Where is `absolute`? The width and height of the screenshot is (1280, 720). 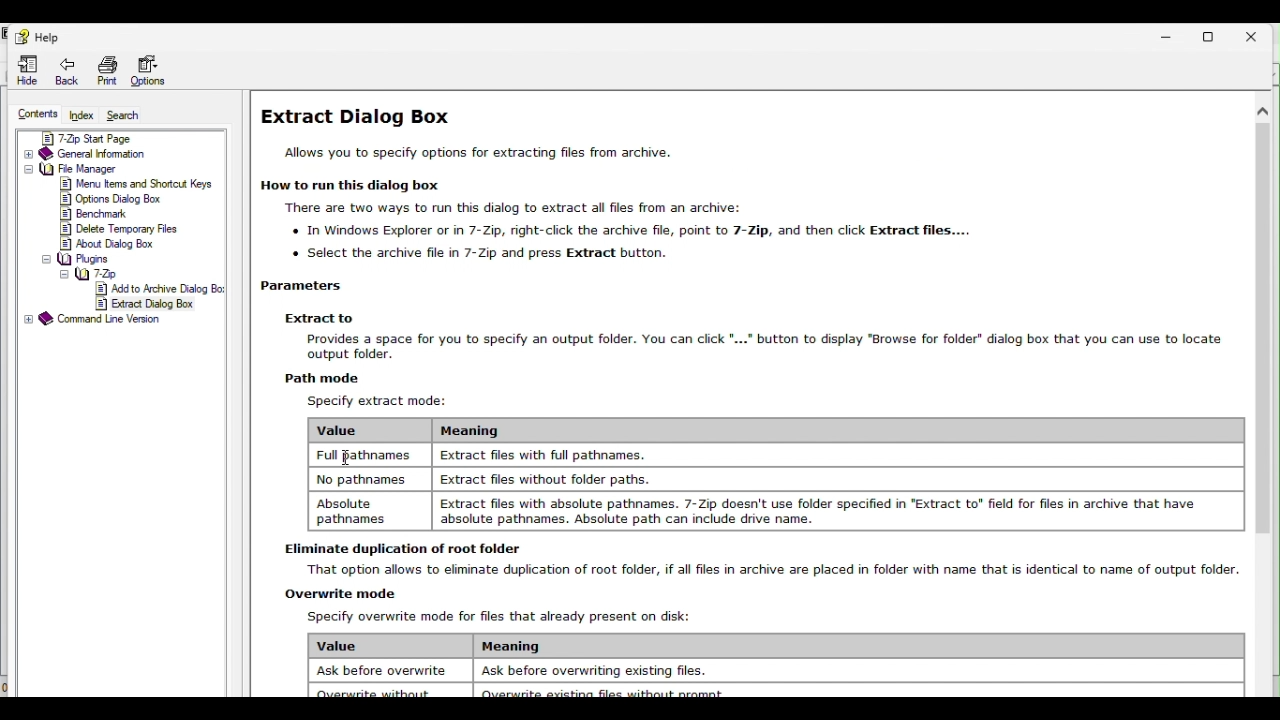 absolute is located at coordinates (362, 511).